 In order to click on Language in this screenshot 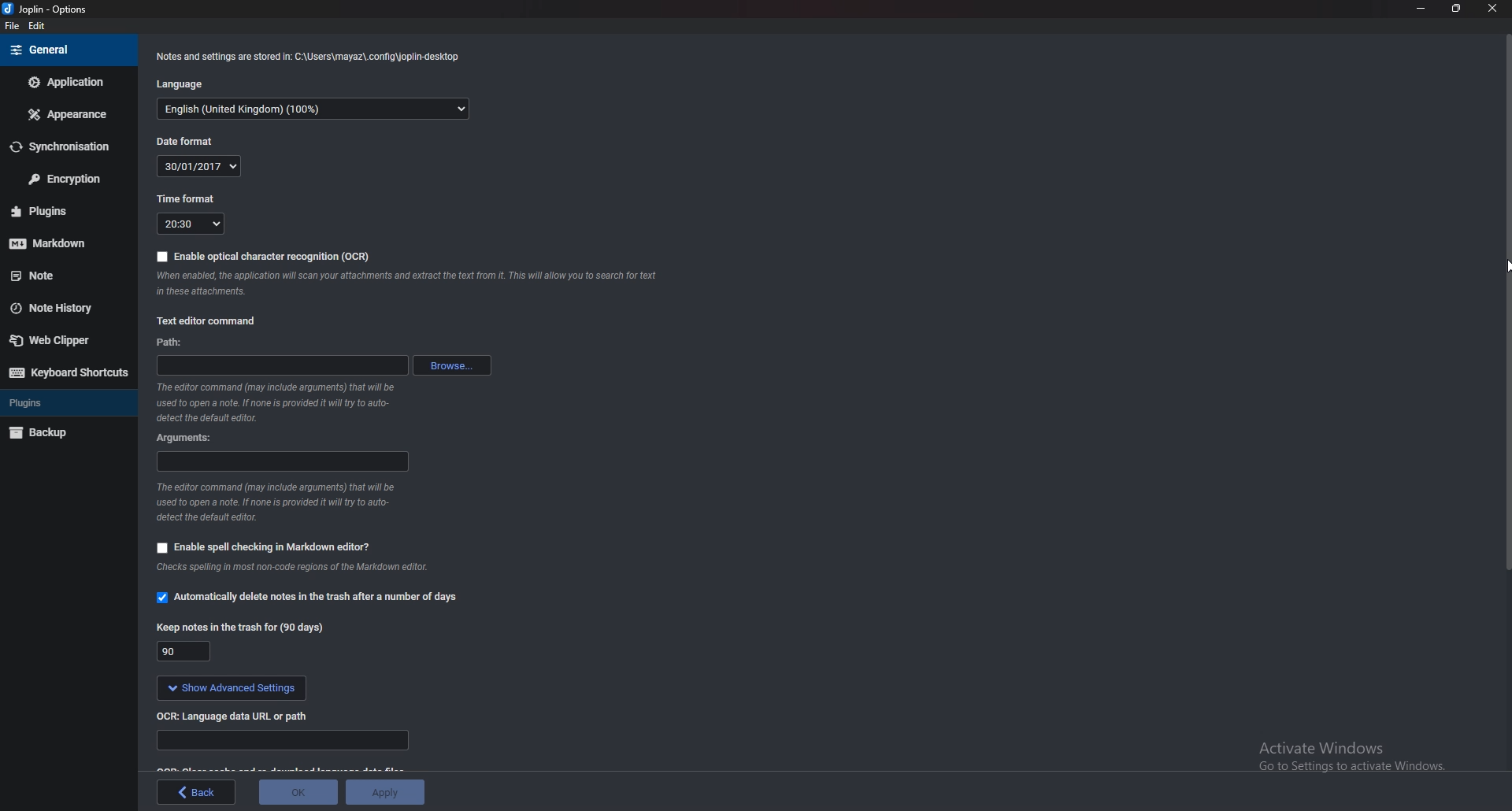, I will do `click(191, 83)`.